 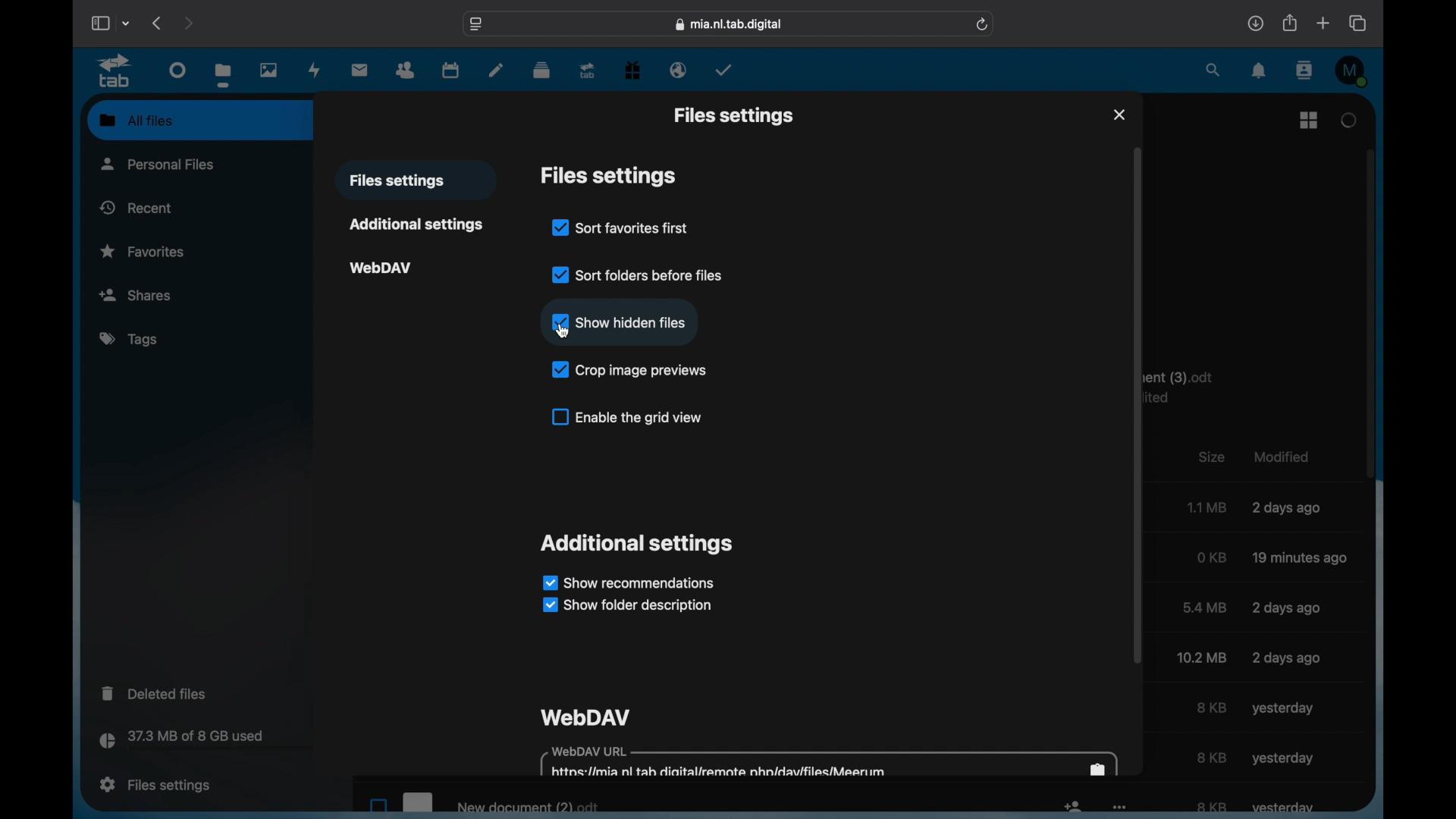 I want to click on show recommendations, so click(x=627, y=583).